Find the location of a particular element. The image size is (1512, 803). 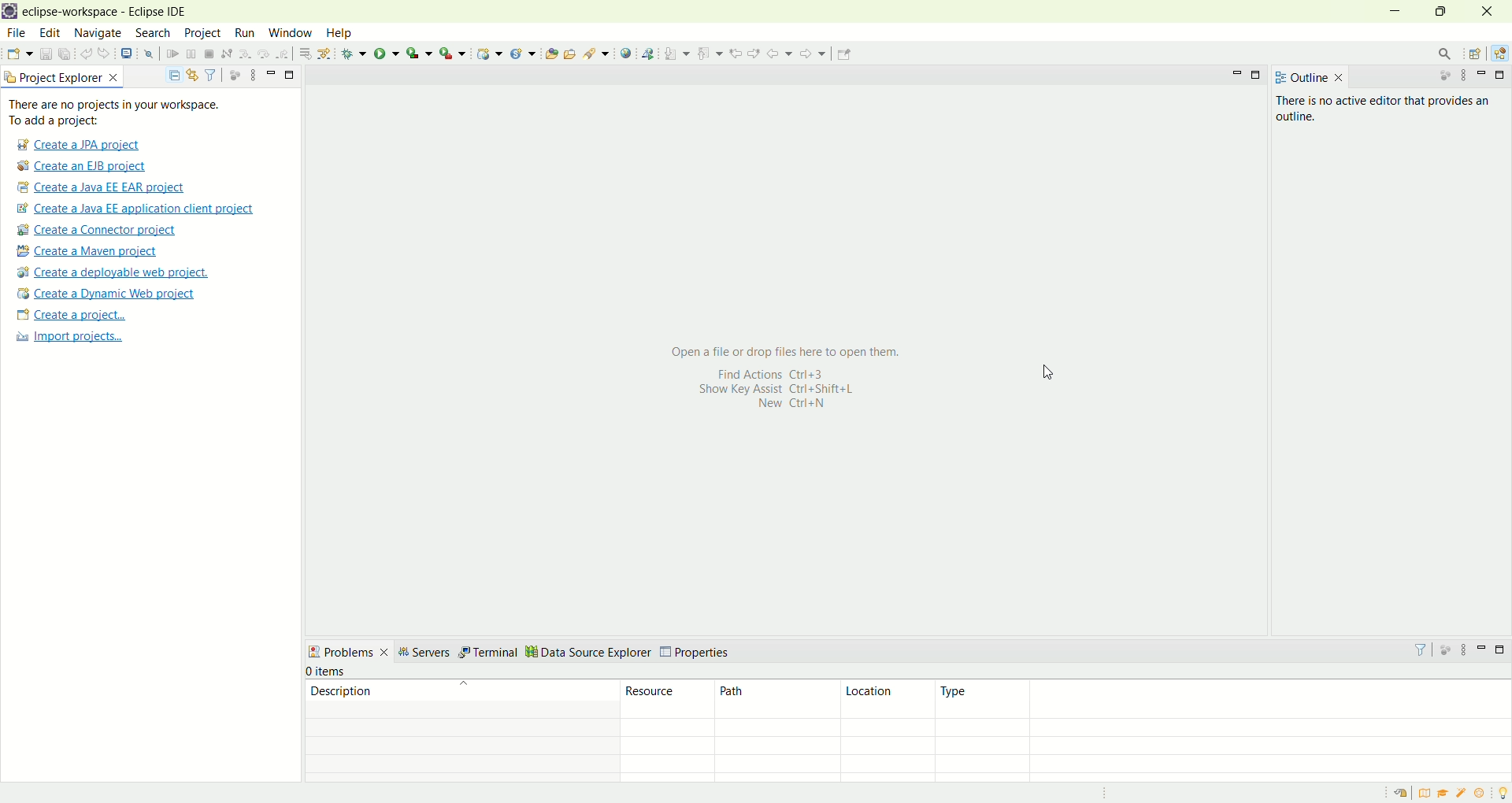

save all is located at coordinates (63, 54).